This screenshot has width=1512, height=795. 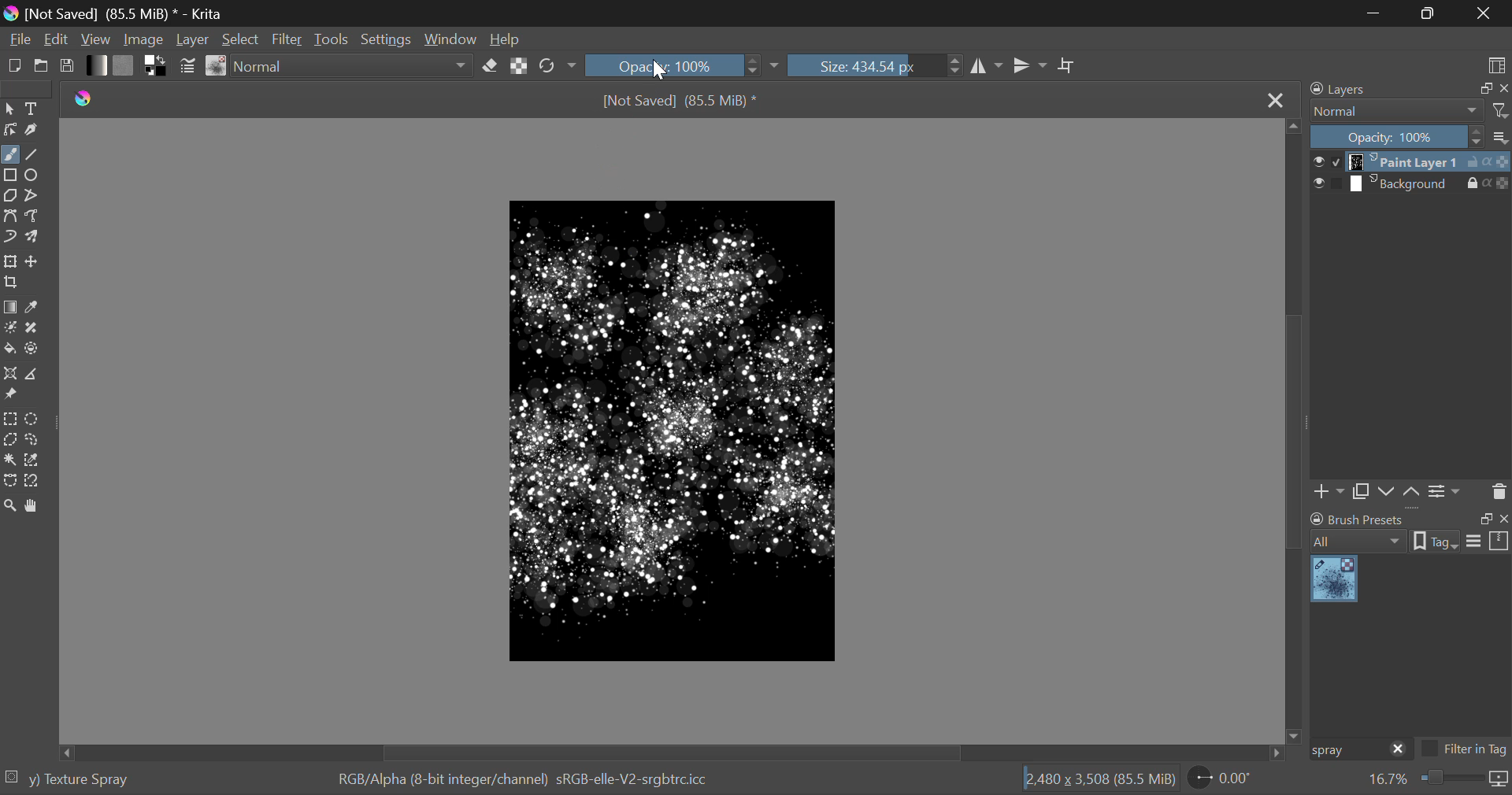 What do you see at coordinates (13, 15) in the screenshot?
I see `logo` at bounding box center [13, 15].